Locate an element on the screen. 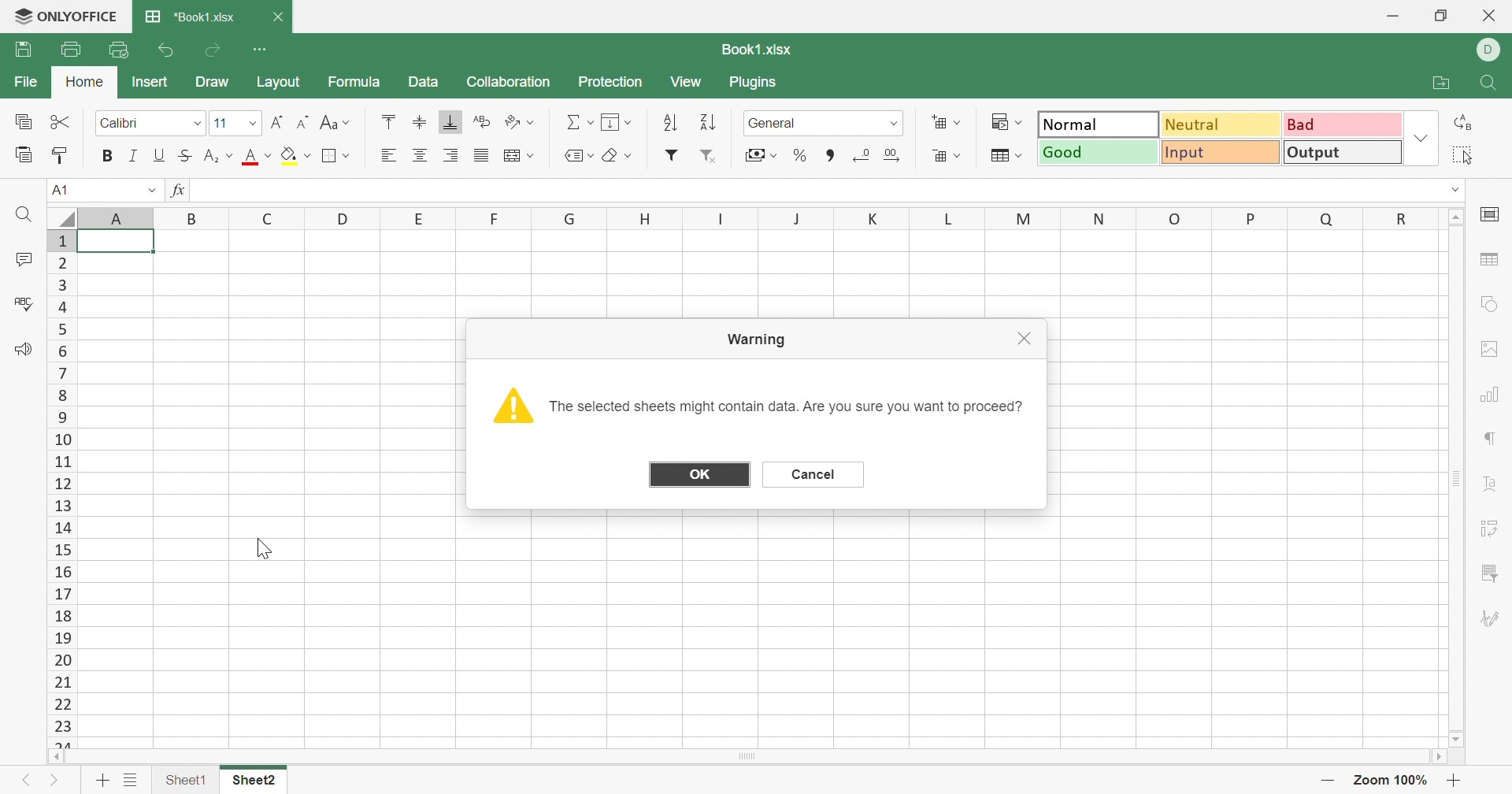 The image size is (1512, 794). Book1.xlsx is located at coordinates (758, 50).